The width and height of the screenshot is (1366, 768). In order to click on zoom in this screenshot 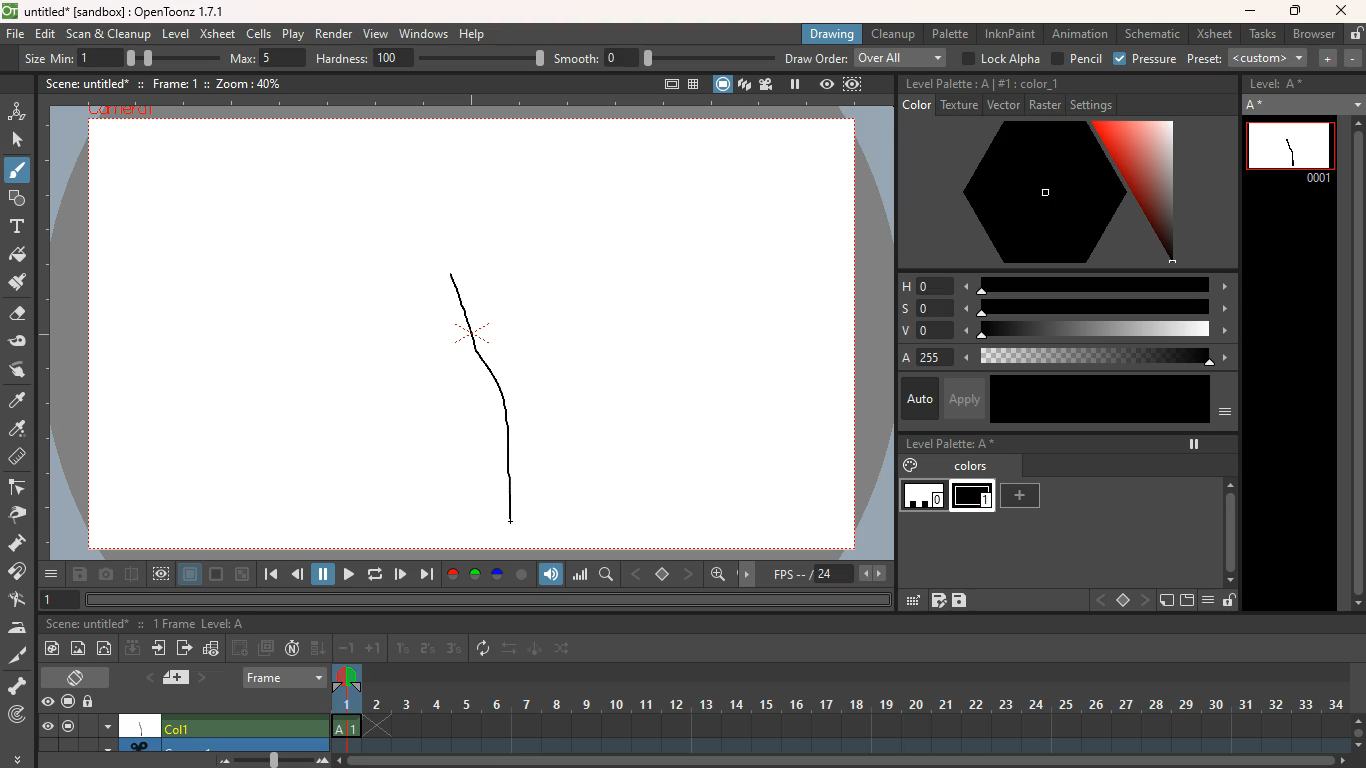, I will do `click(844, 761)`.